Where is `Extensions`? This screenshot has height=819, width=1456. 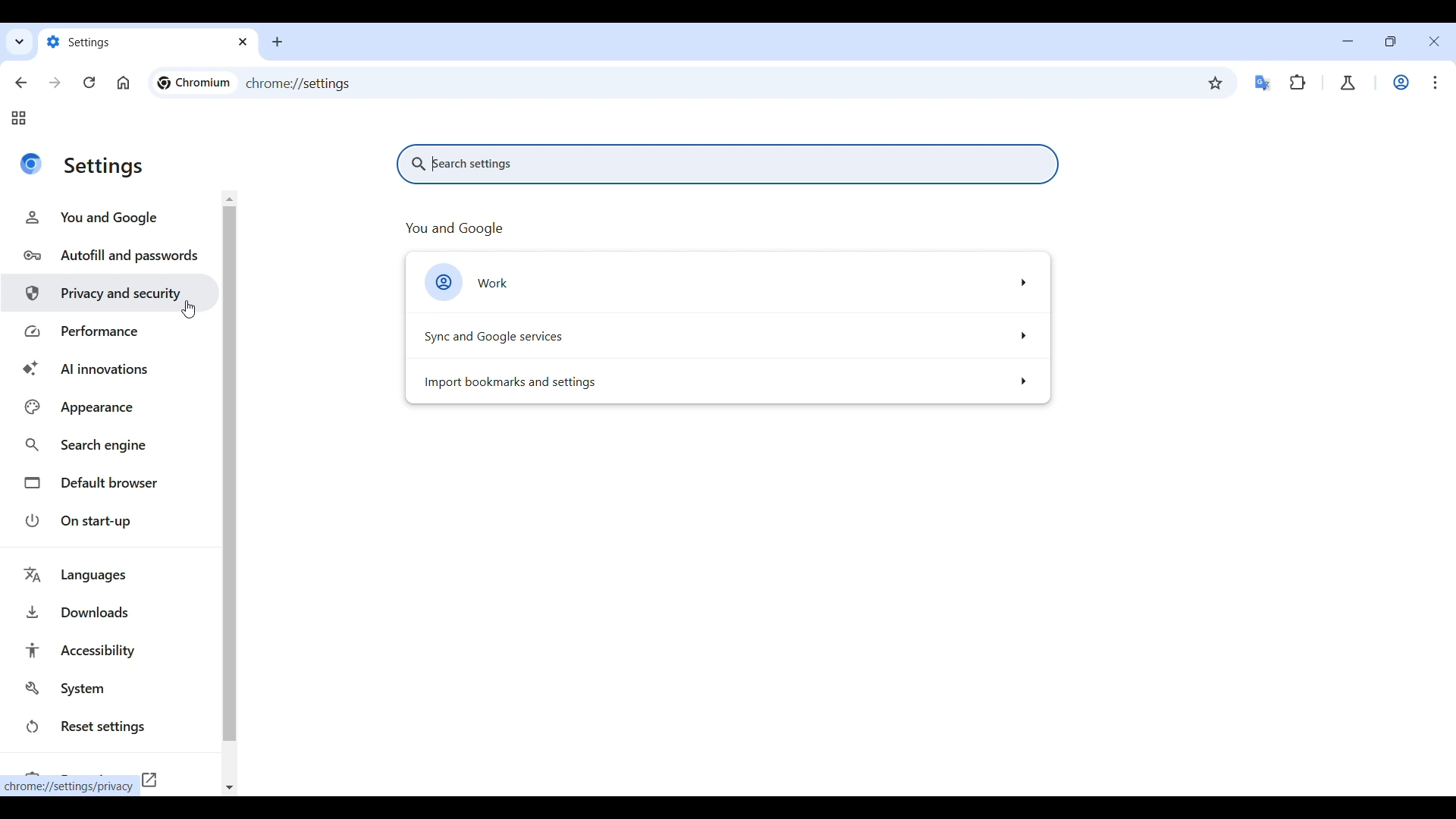
Extensions is located at coordinates (1298, 83).